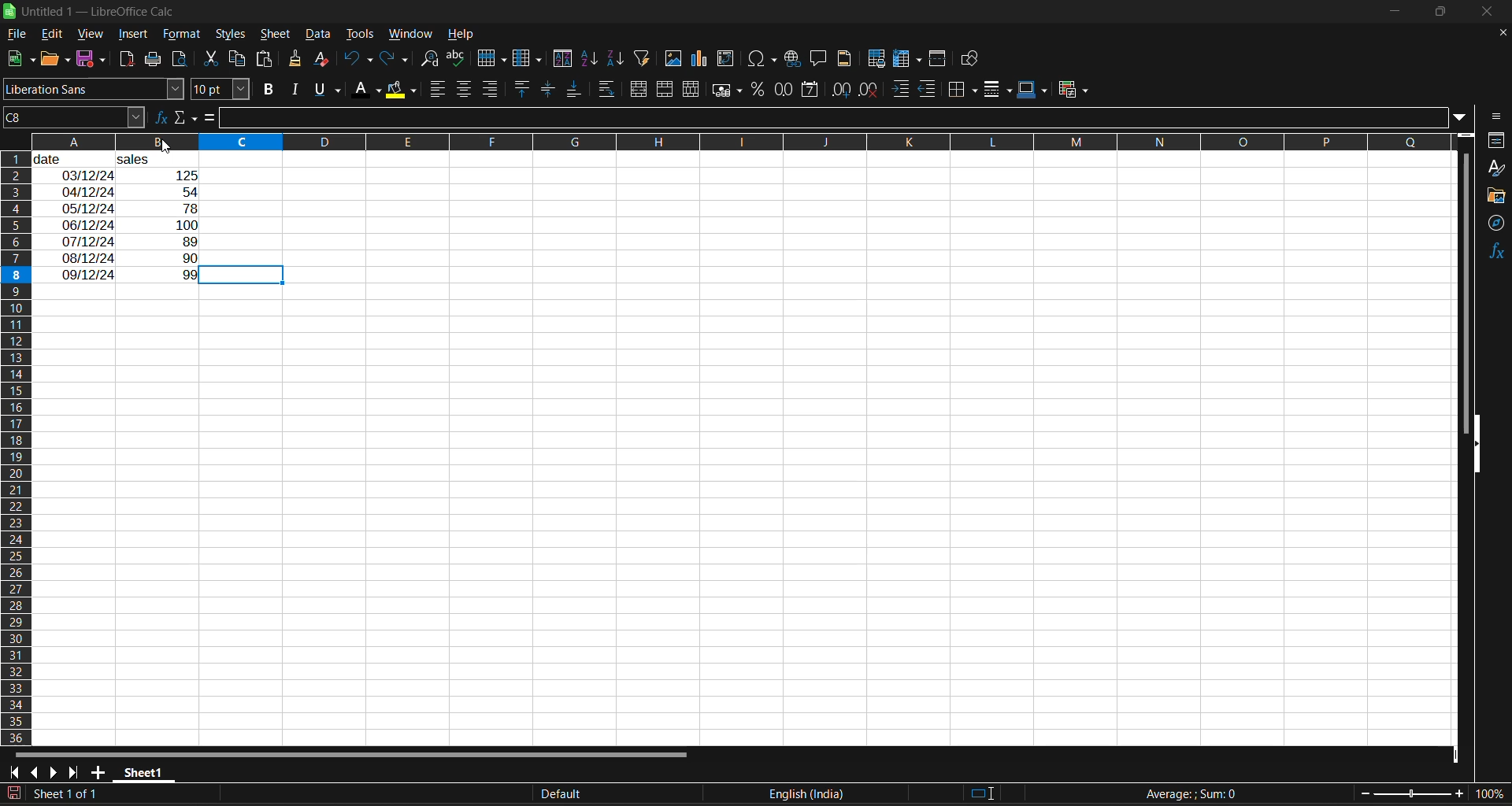 The height and width of the screenshot is (806, 1512). Describe the element at coordinates (723, 141) in the screenshot. I see `rows` at that location.